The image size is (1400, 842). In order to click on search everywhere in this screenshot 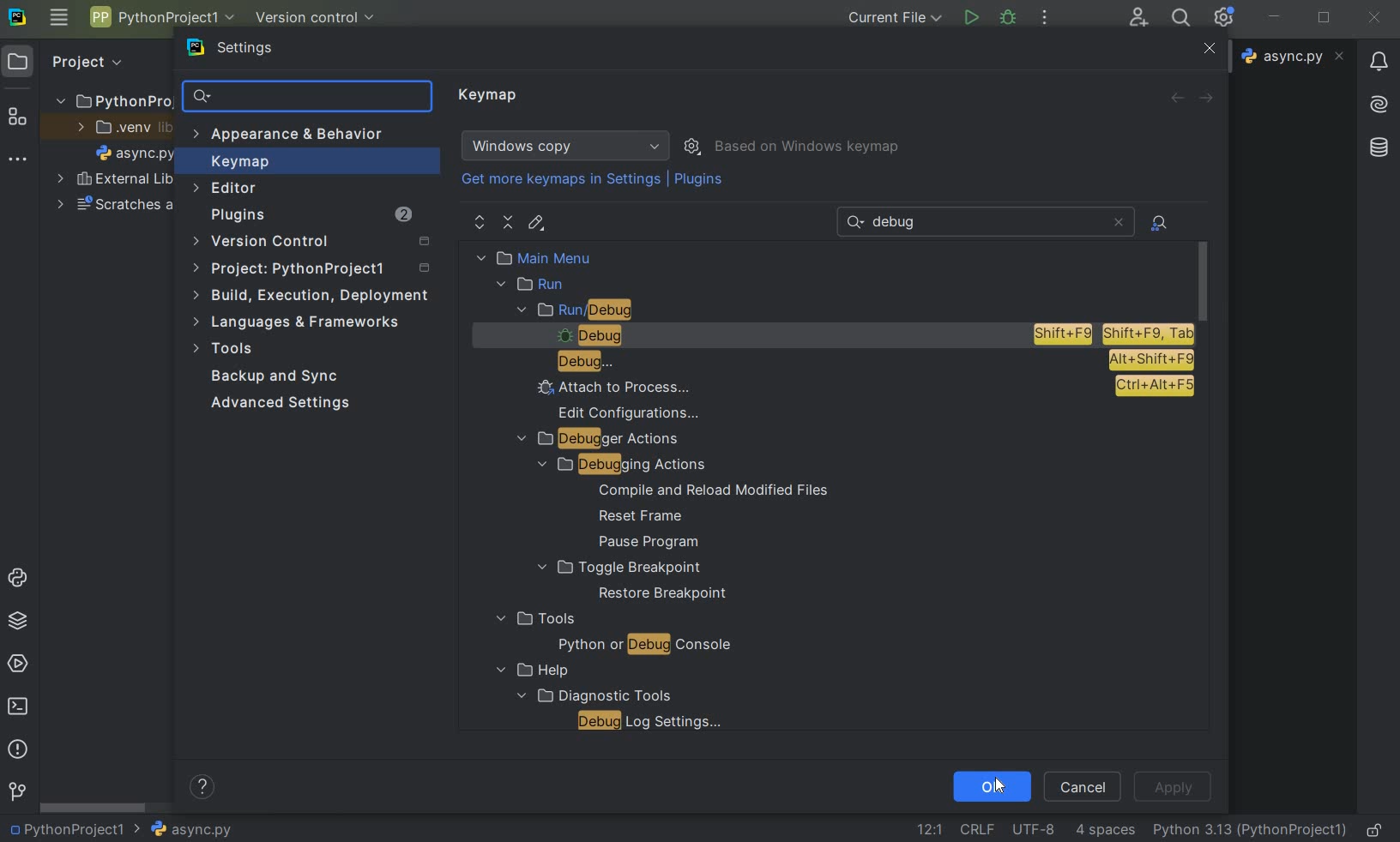, I will do `click(1178, 20)`.